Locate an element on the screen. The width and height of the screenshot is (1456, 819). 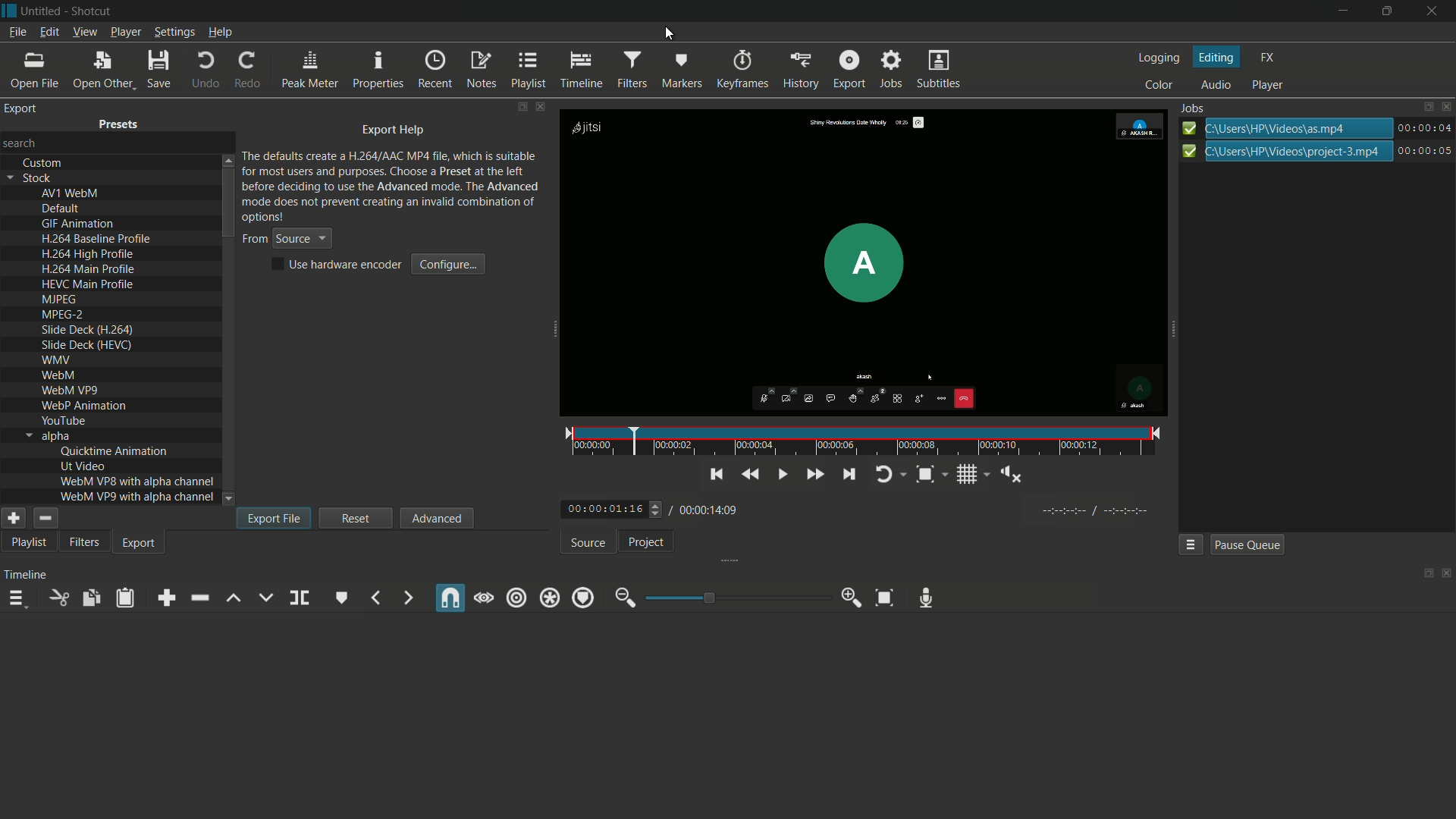
redo is located at coordinates (248, 70).